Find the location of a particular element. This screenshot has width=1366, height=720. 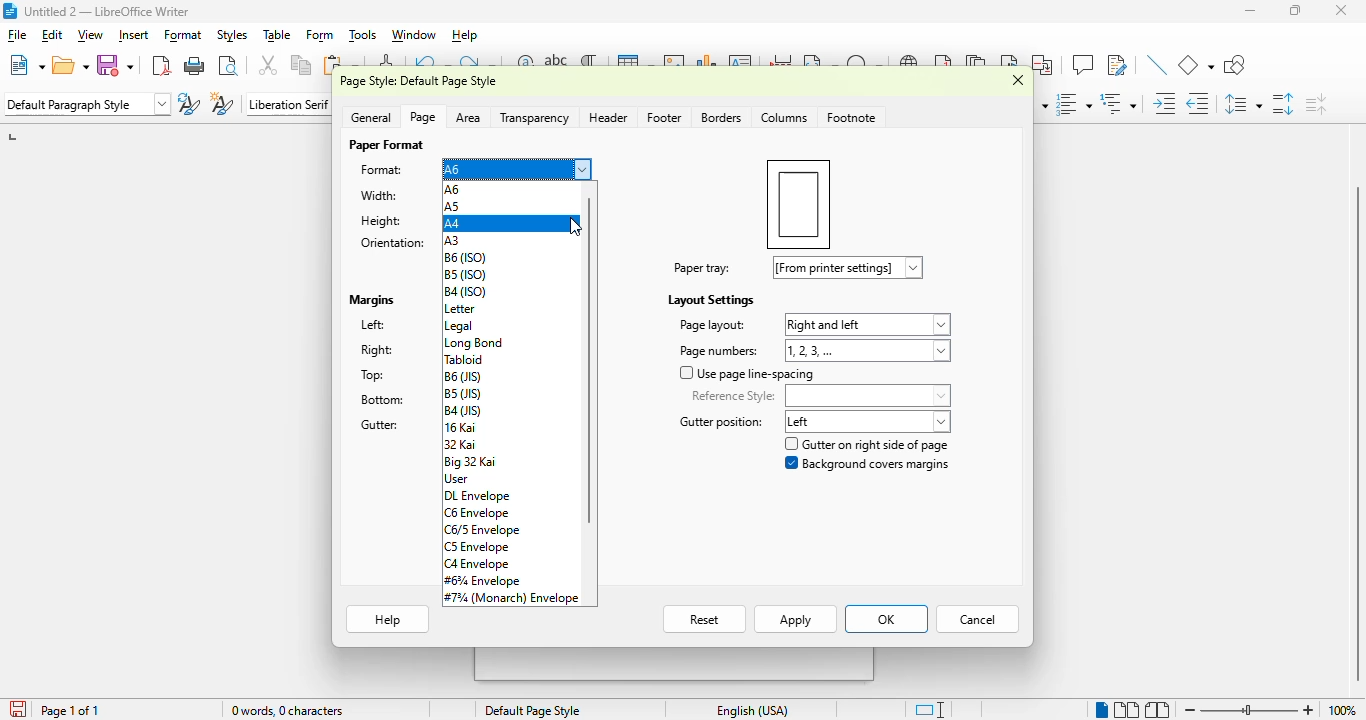

vertical scroll bar is located at coordinates (1354, 435).